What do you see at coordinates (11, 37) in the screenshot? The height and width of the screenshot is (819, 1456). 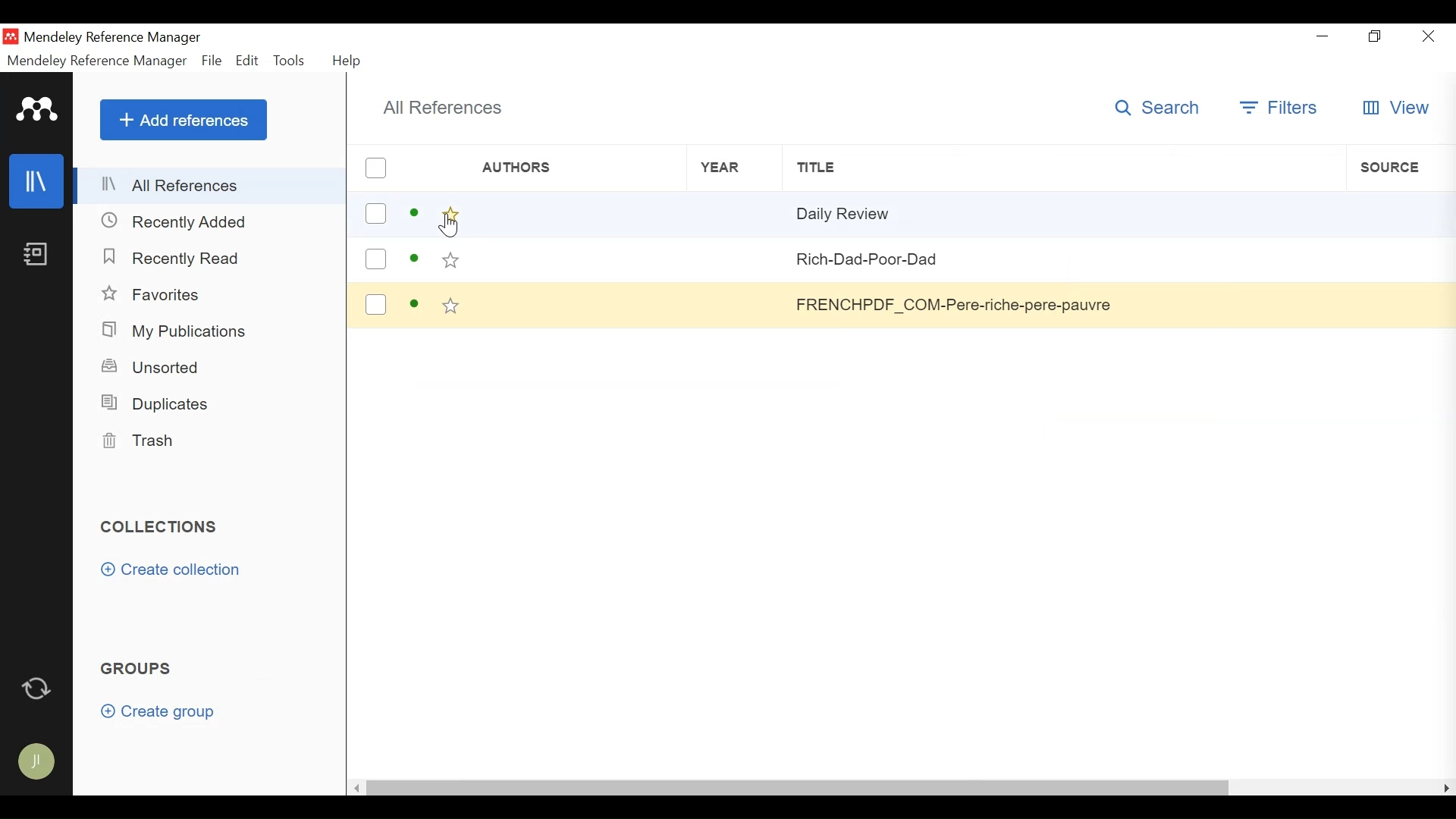 I see `Mendeley Desktop Icon` at bounding box center [11, 37].